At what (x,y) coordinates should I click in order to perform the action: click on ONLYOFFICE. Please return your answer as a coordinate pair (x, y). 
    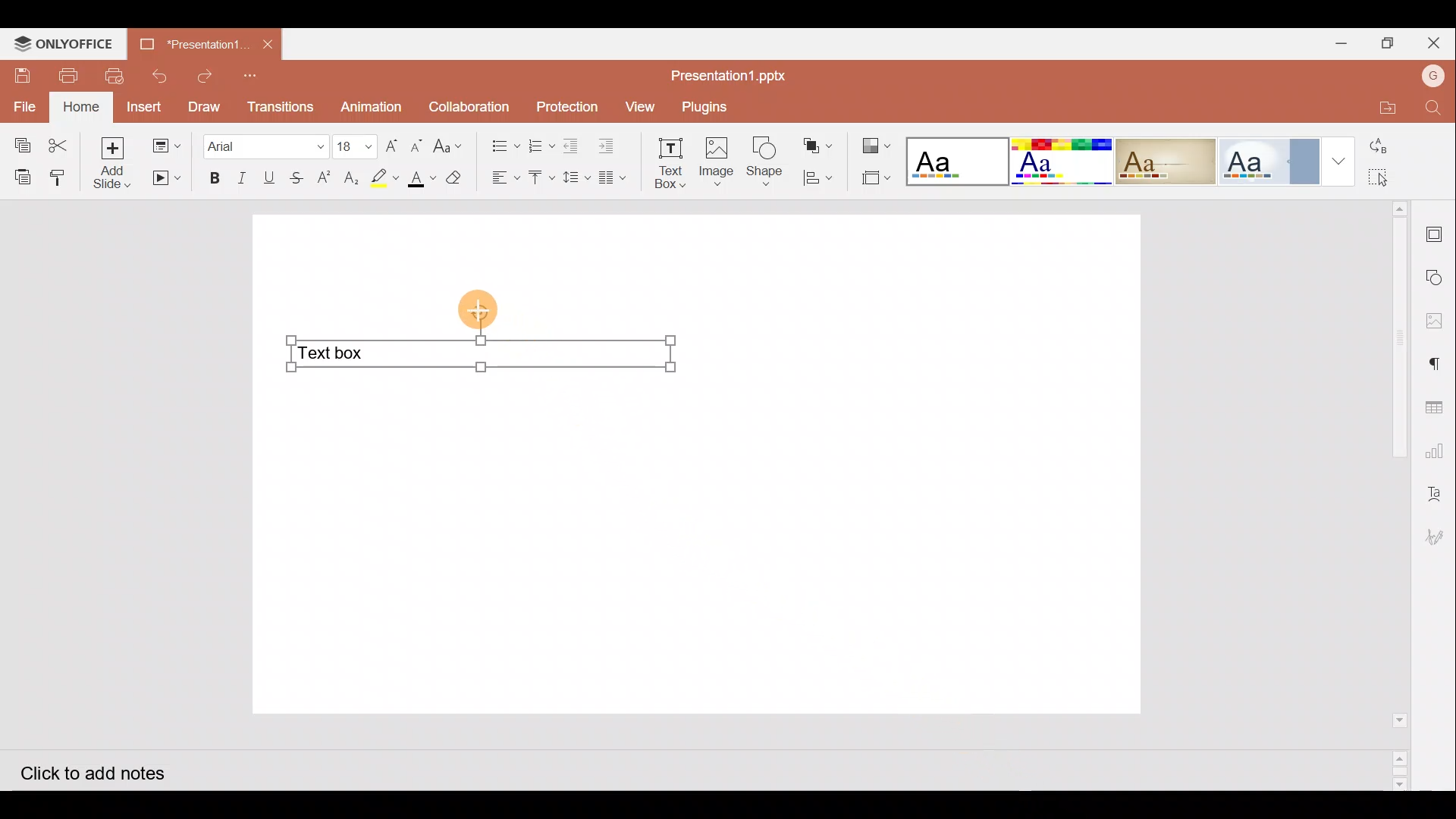
    Looking at the image, I should click on (61, 43).